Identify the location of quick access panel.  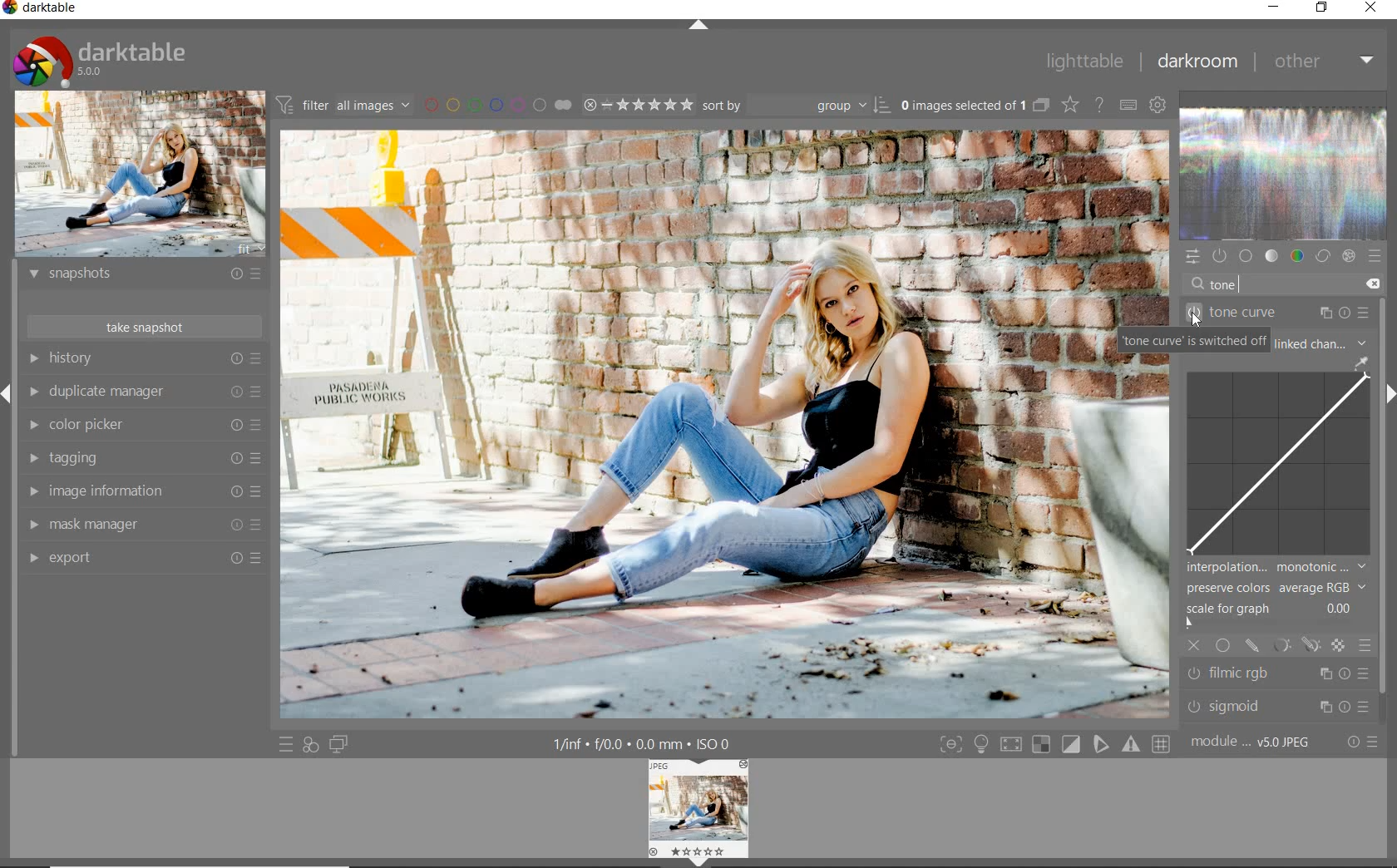
(1192, 255).